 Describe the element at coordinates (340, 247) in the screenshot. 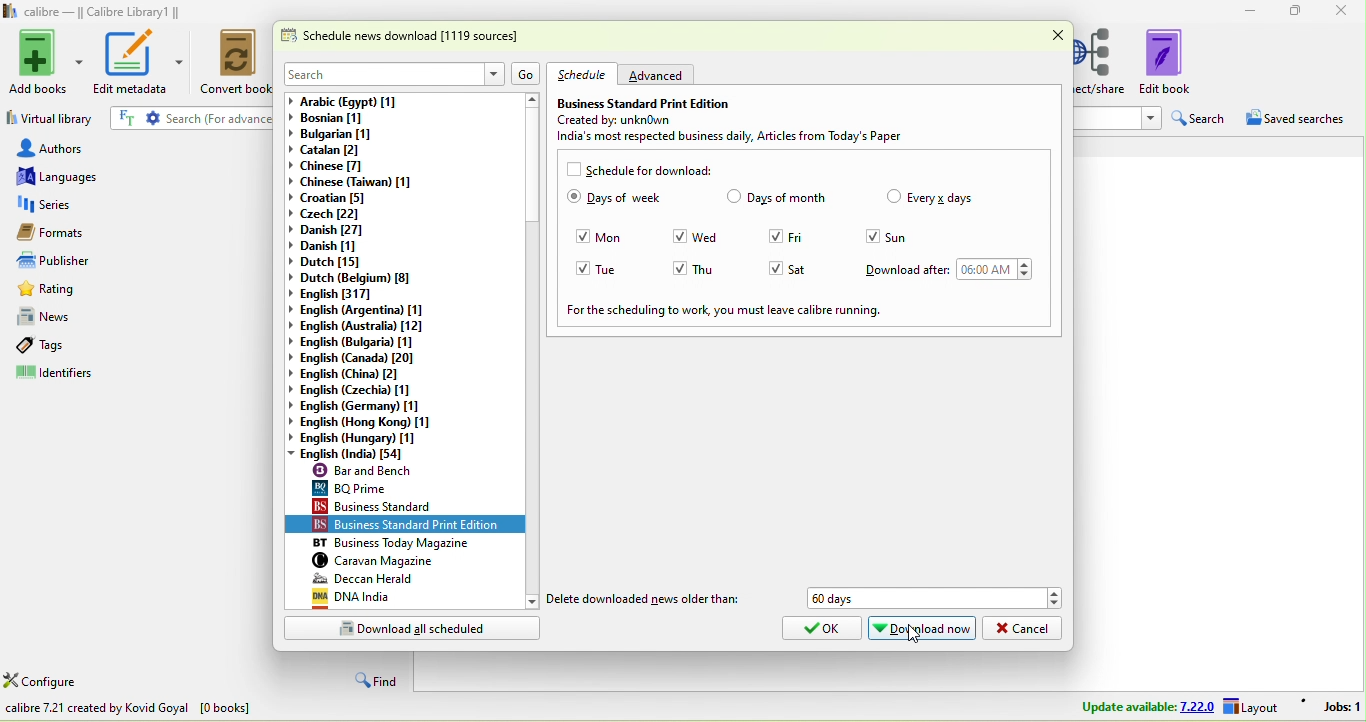

I see `danish[1]` at that location.